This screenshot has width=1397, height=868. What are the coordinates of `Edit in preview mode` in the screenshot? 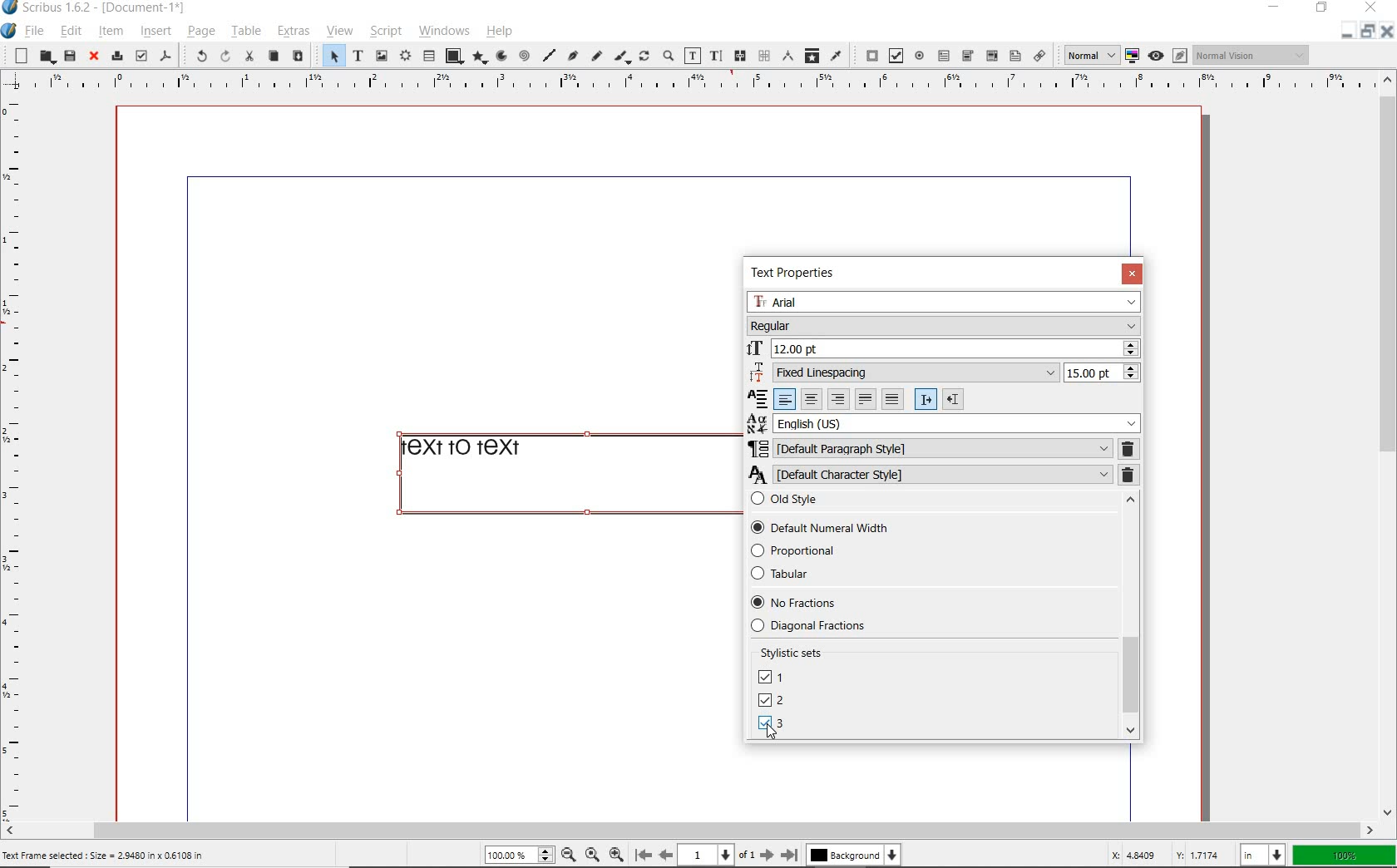 It's located at (1179, 57).